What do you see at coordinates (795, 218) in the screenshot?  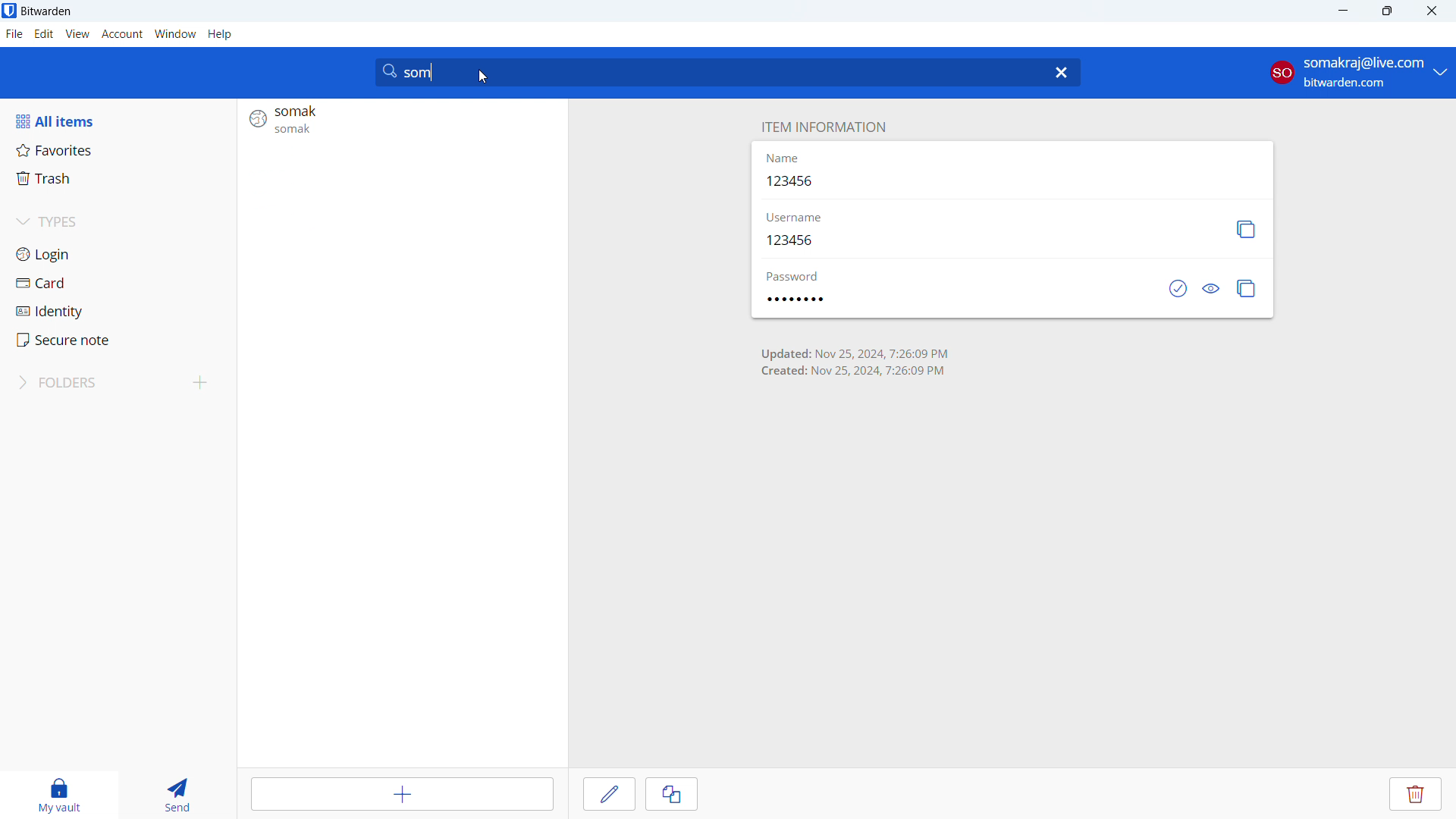 I see `username` at bounding box center [795, 218].